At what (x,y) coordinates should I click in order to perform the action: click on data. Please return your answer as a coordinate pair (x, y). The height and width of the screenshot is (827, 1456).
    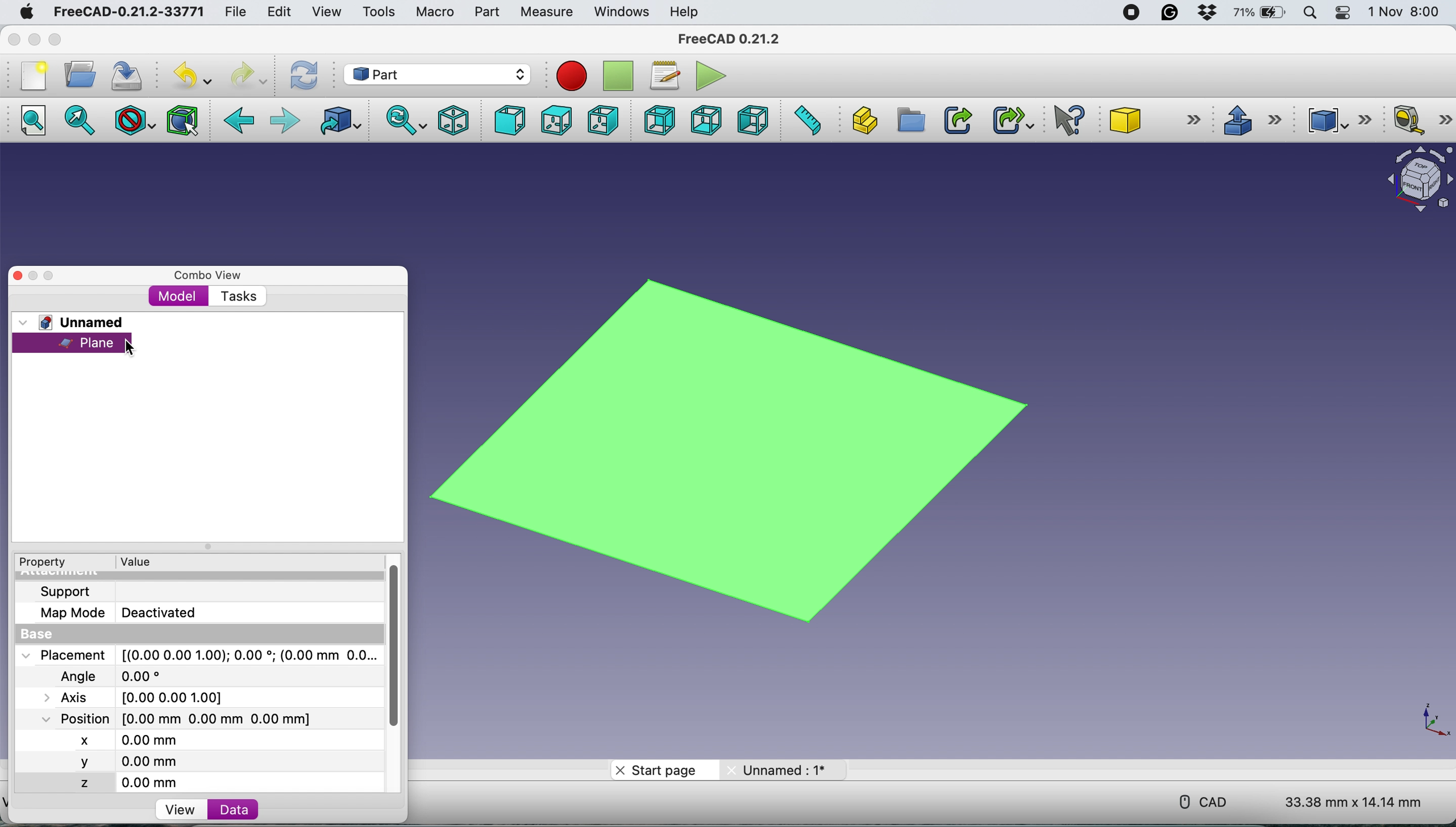
    Looking at the image, I should click on (235, 810).